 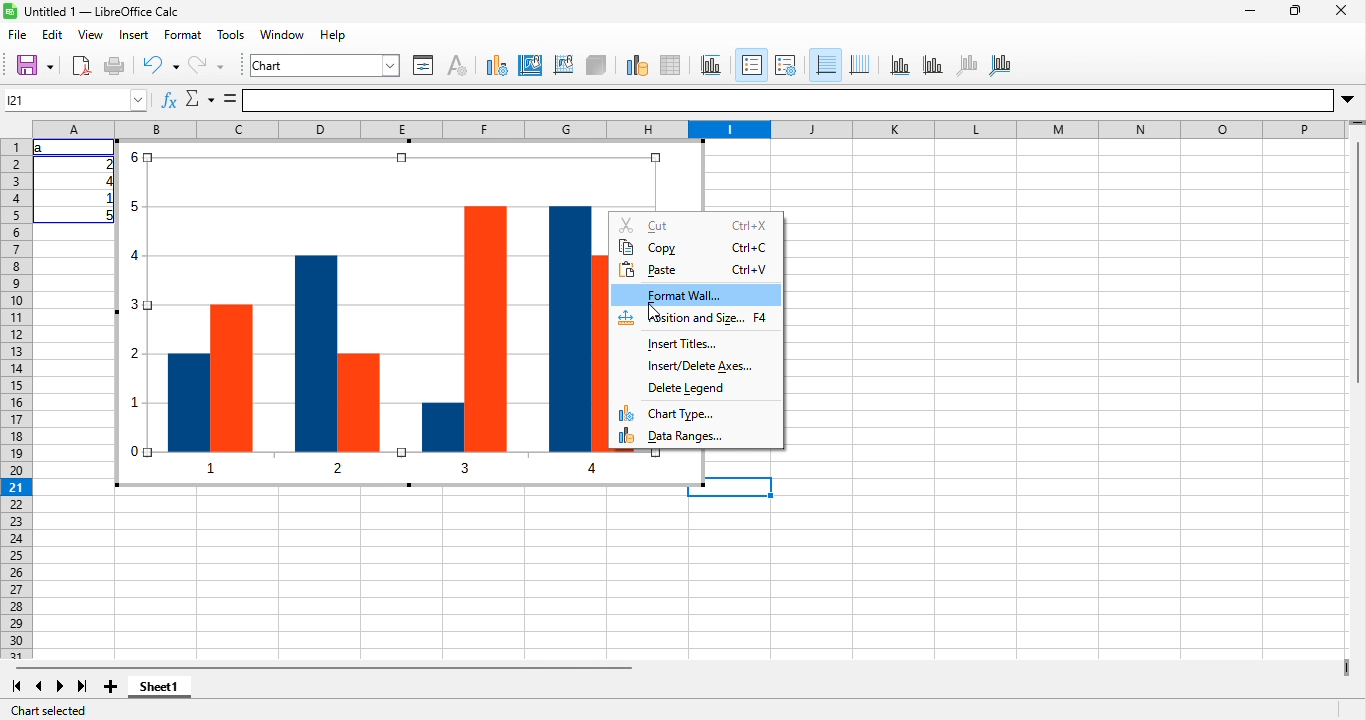 I want to click on next sheet, so click(x=60, y=686).